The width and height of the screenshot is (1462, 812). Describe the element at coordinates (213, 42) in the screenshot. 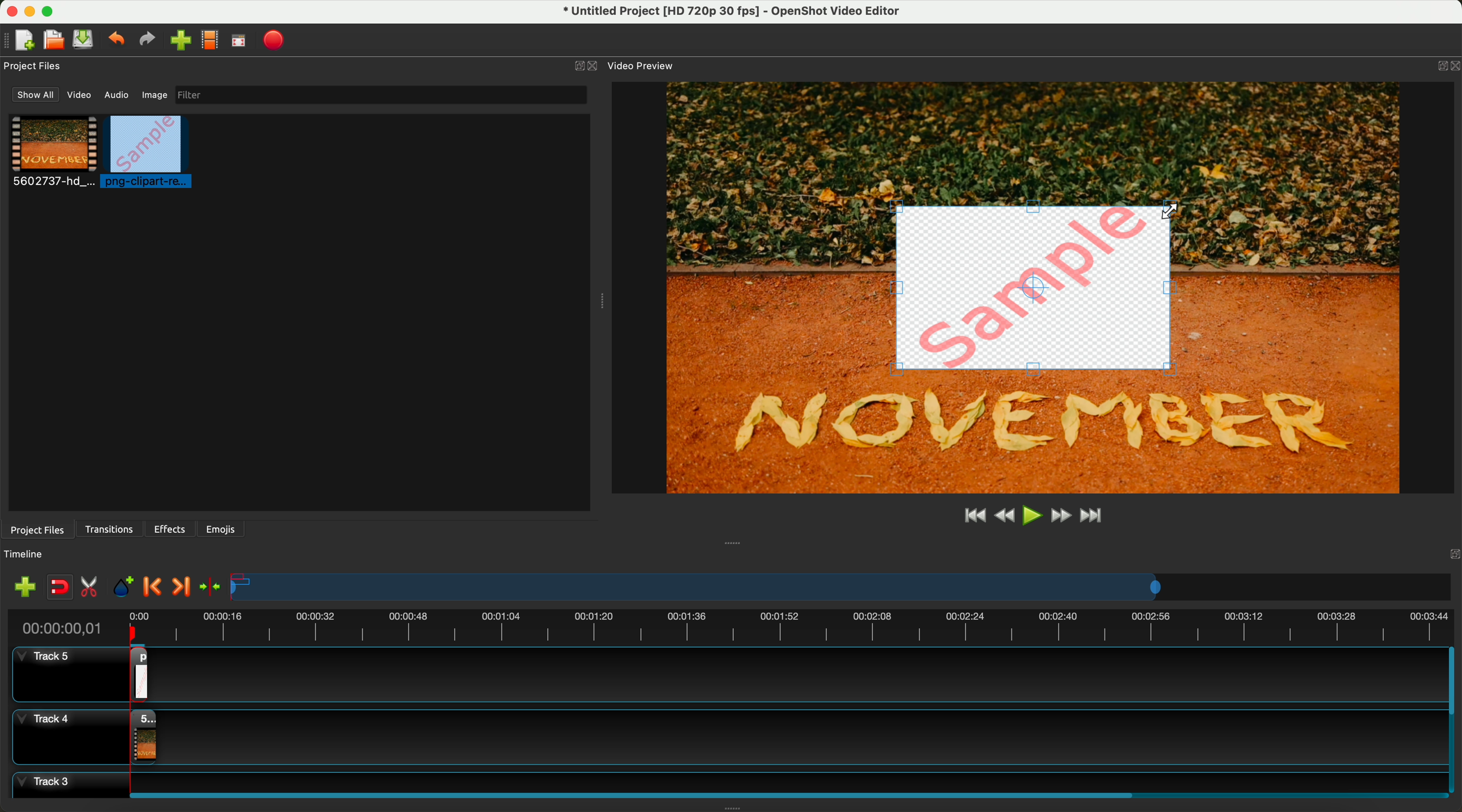

I see `choose profile` at that location.